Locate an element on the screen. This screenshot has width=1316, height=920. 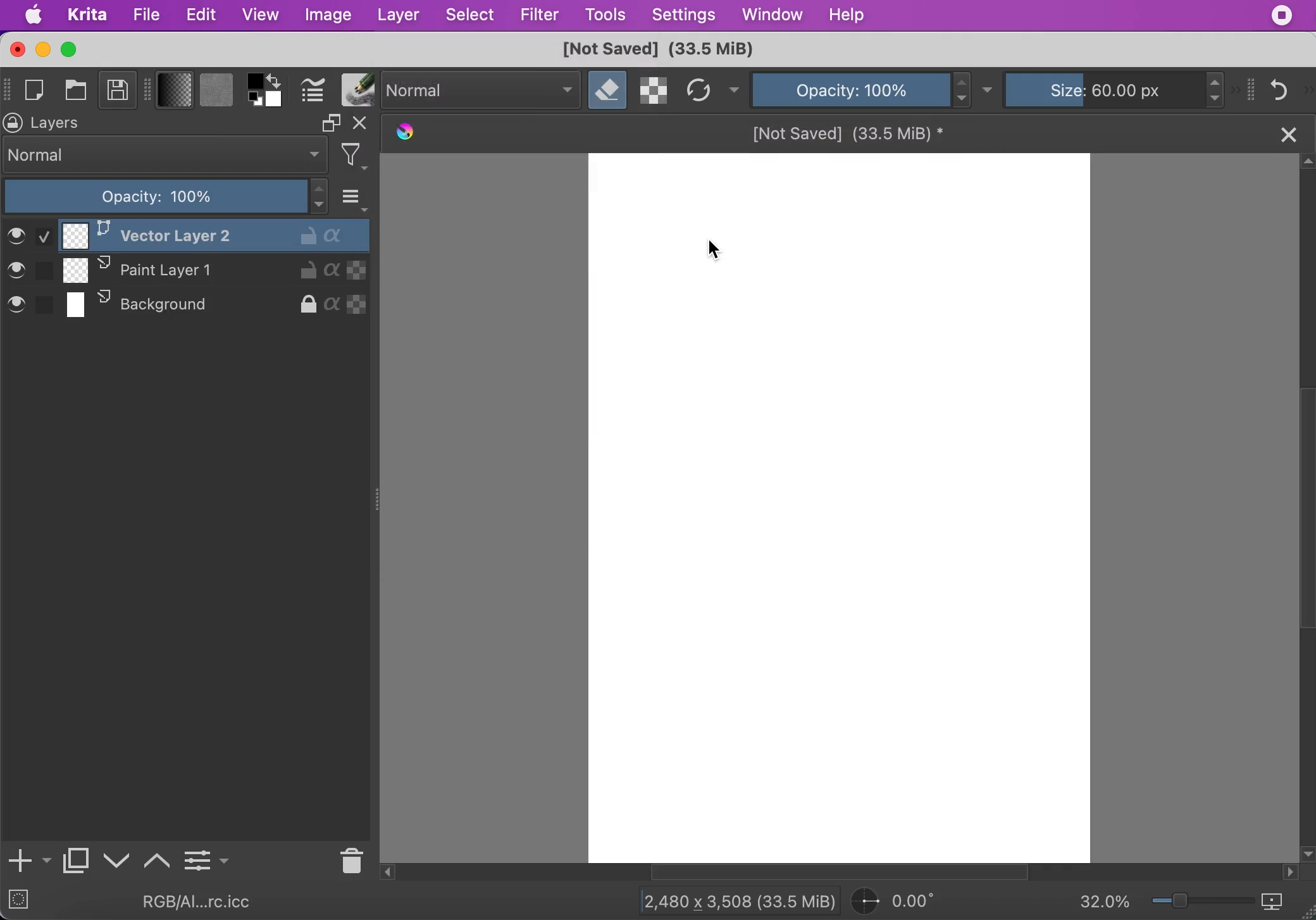
minimize is located at coordinates (42, 49).